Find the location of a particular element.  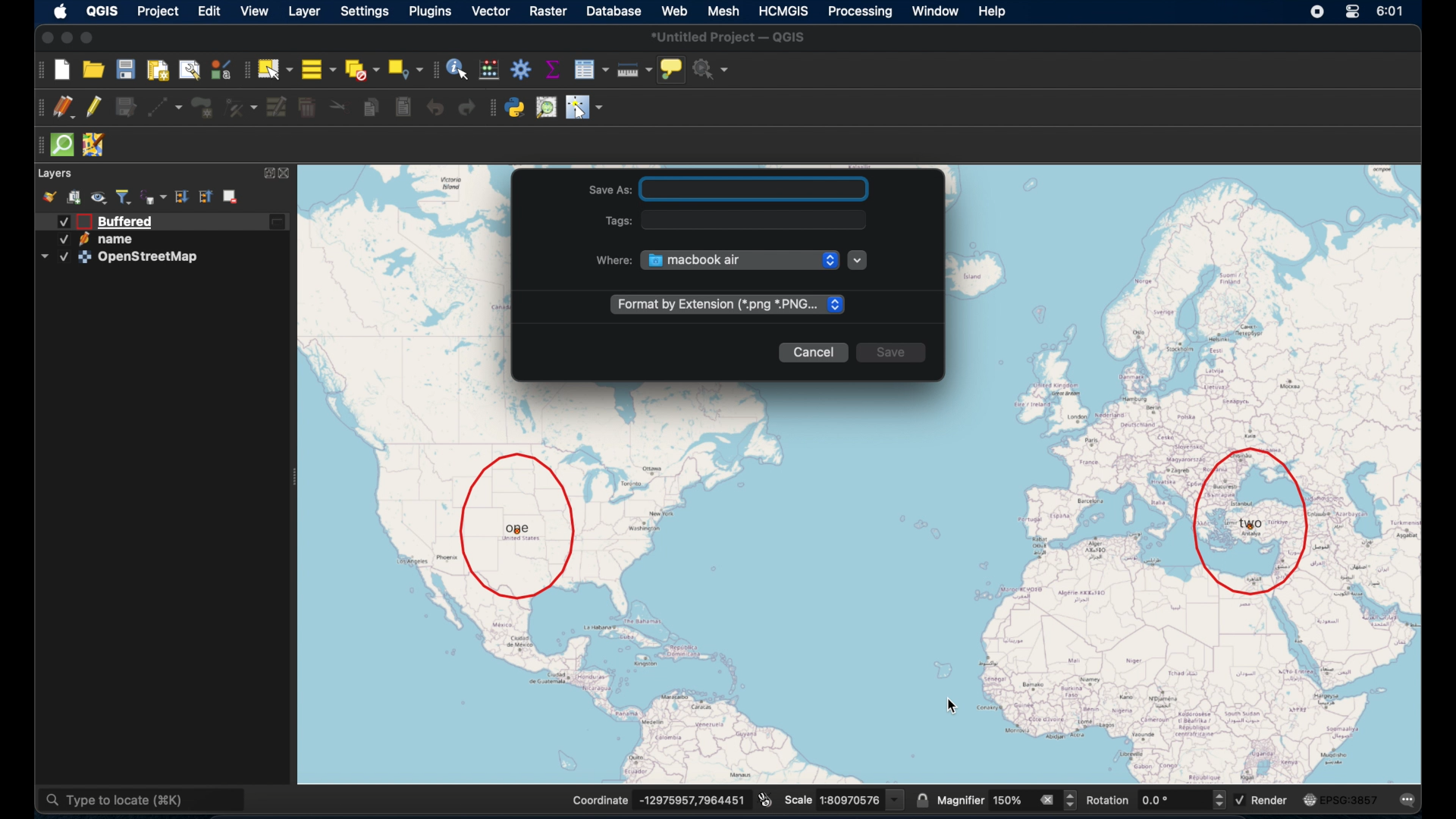

processing is located at coordinates (862, 11).